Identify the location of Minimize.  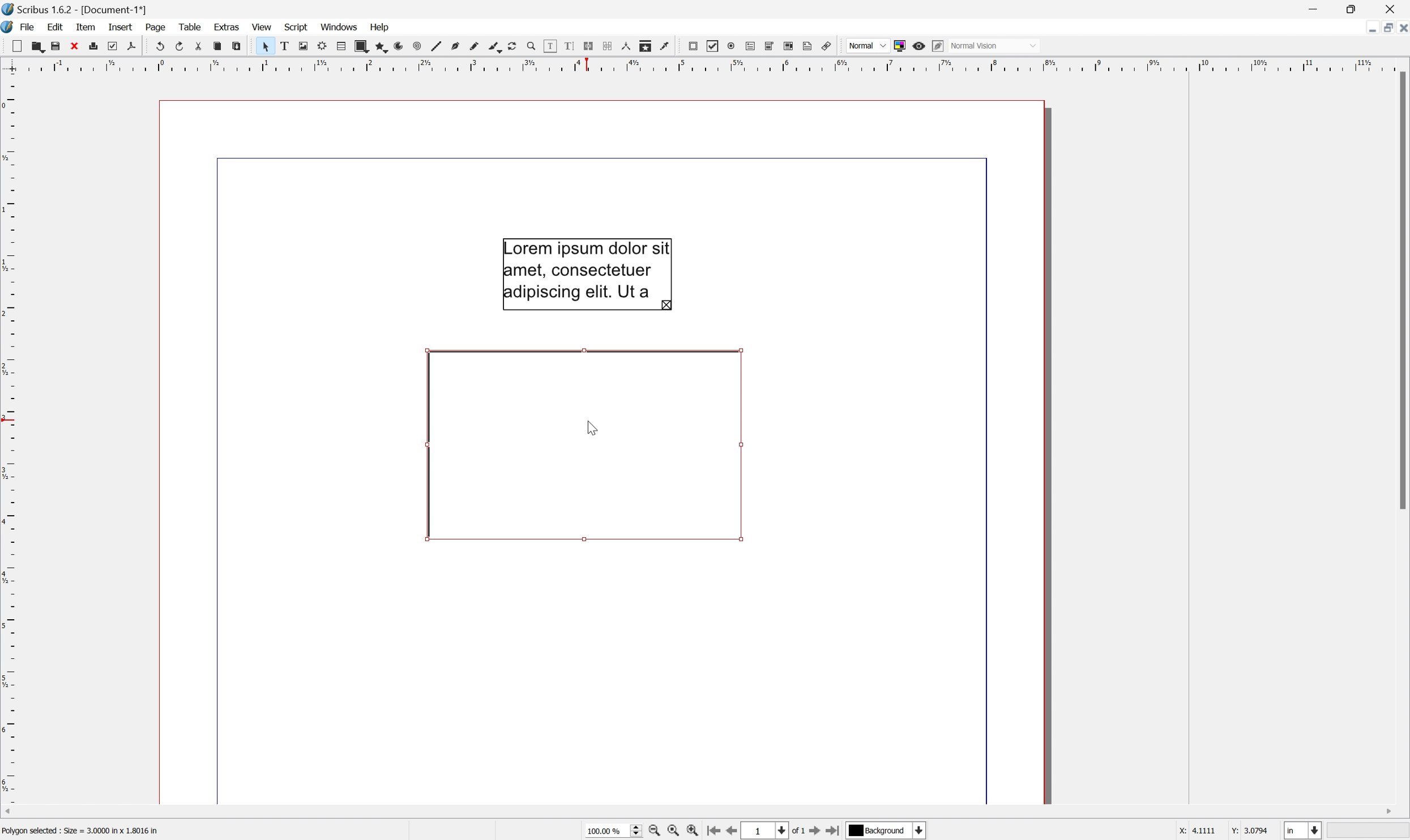
(1363, 27).